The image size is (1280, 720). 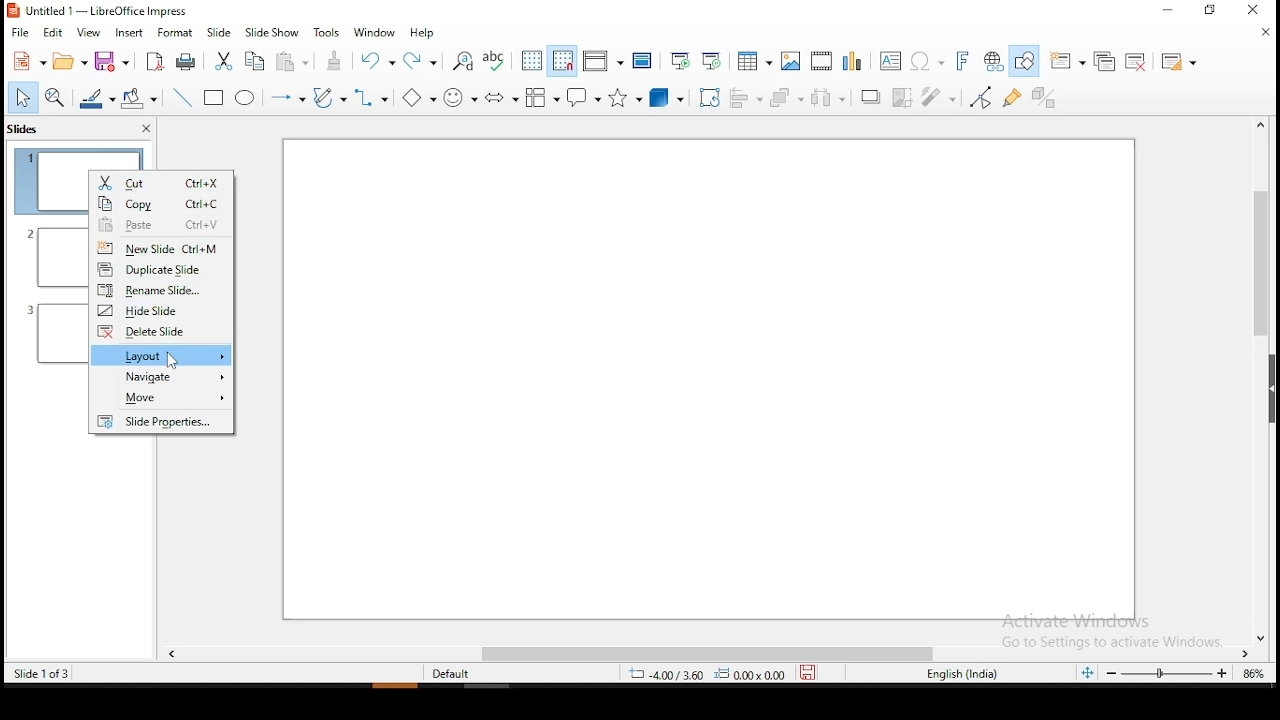 I want to click on default, so click(x=456, y=674).